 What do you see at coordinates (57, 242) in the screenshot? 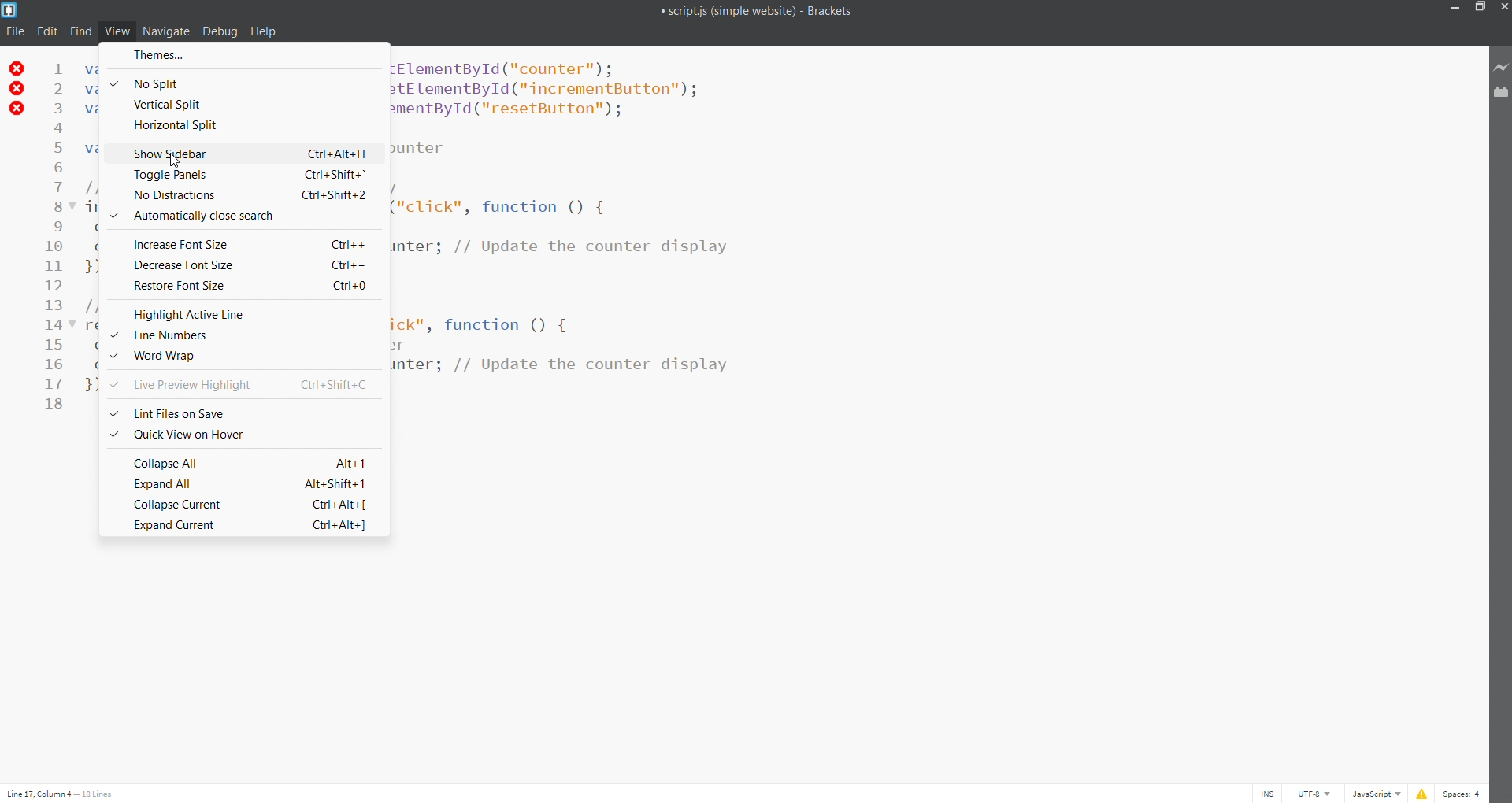
I see `line number` at bounding box center [57, 242].